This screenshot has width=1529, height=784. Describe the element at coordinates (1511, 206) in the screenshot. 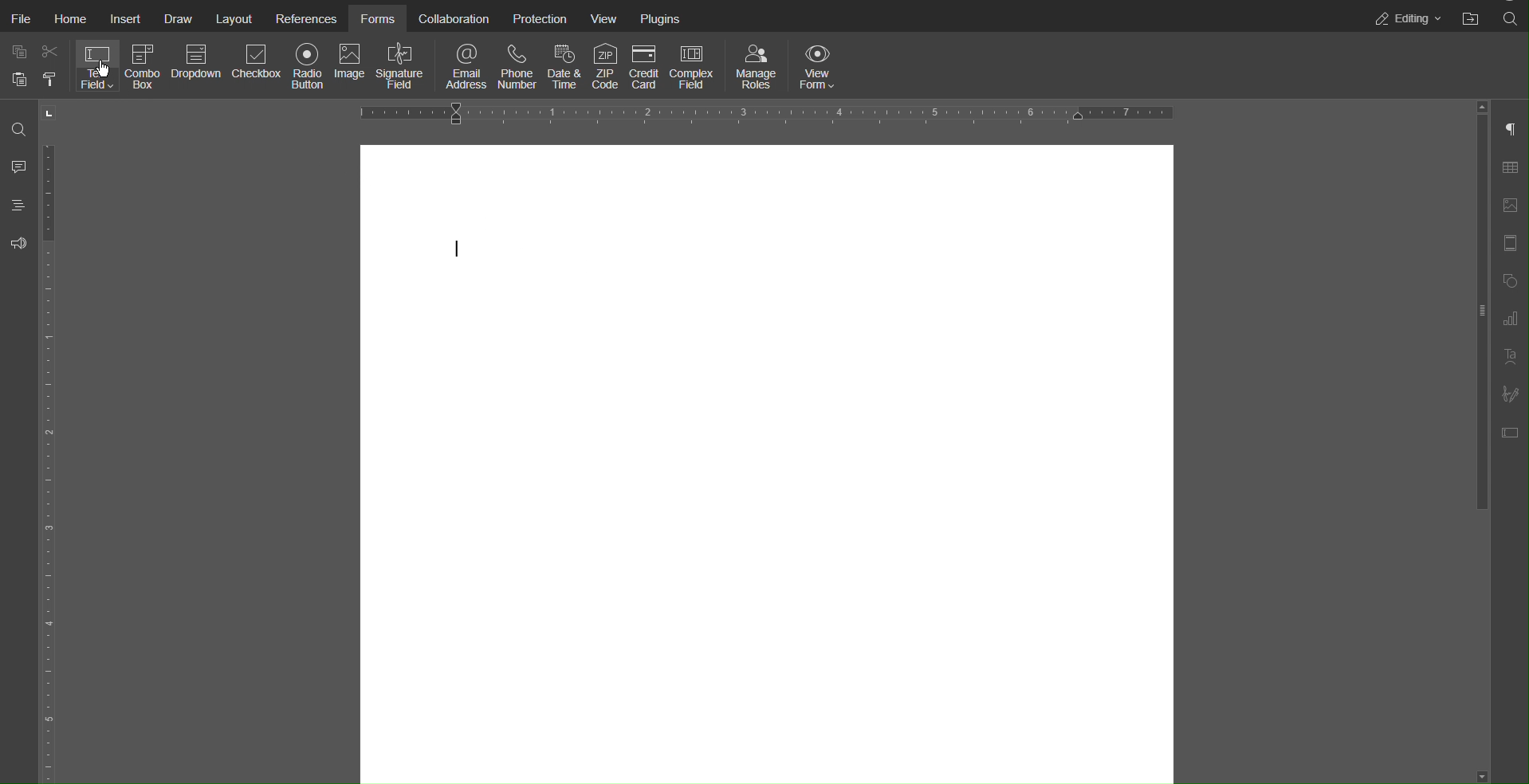

I see `Image Settings` at that location.